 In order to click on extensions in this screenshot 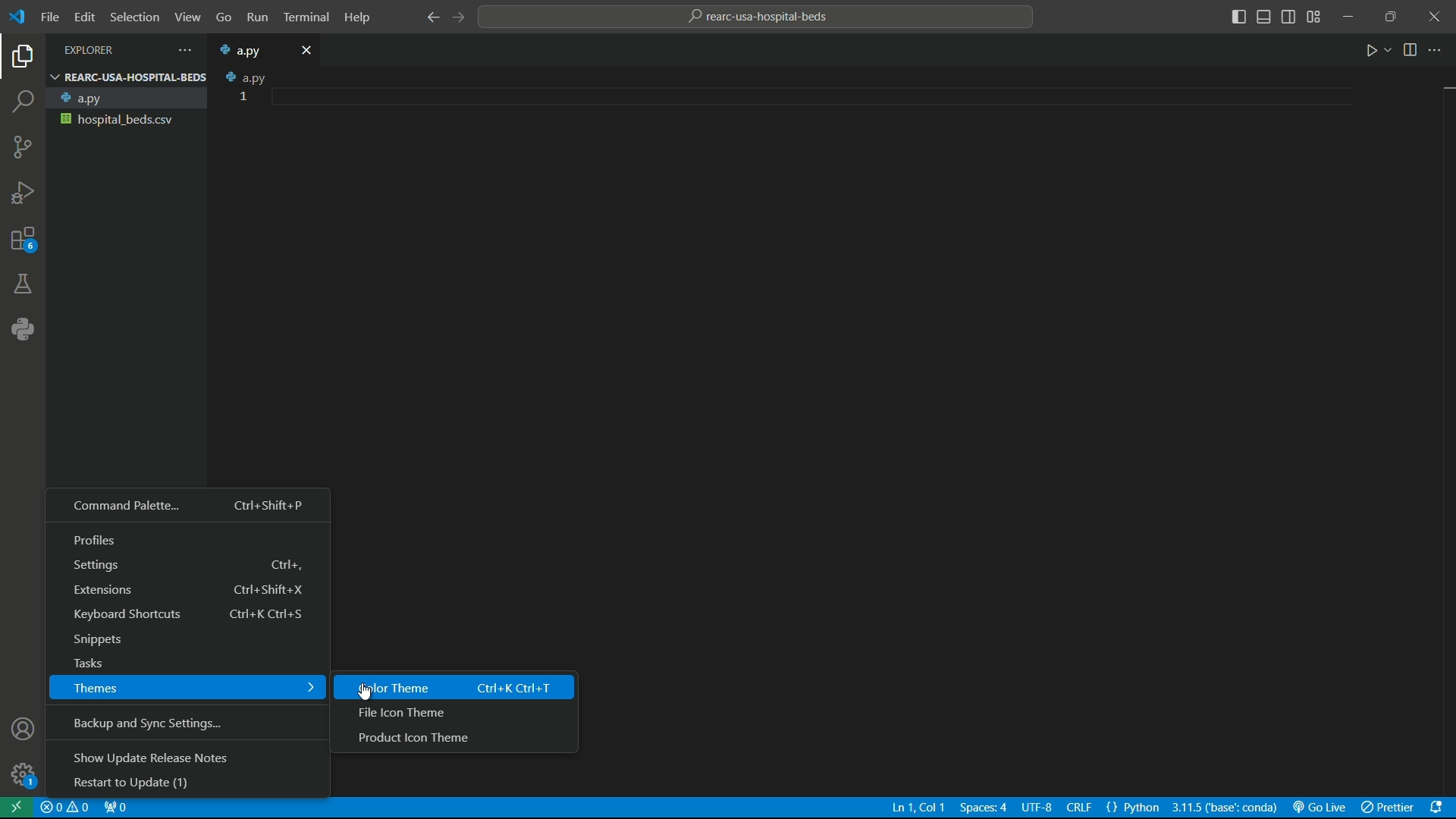, I will do `click(188, 591)`.